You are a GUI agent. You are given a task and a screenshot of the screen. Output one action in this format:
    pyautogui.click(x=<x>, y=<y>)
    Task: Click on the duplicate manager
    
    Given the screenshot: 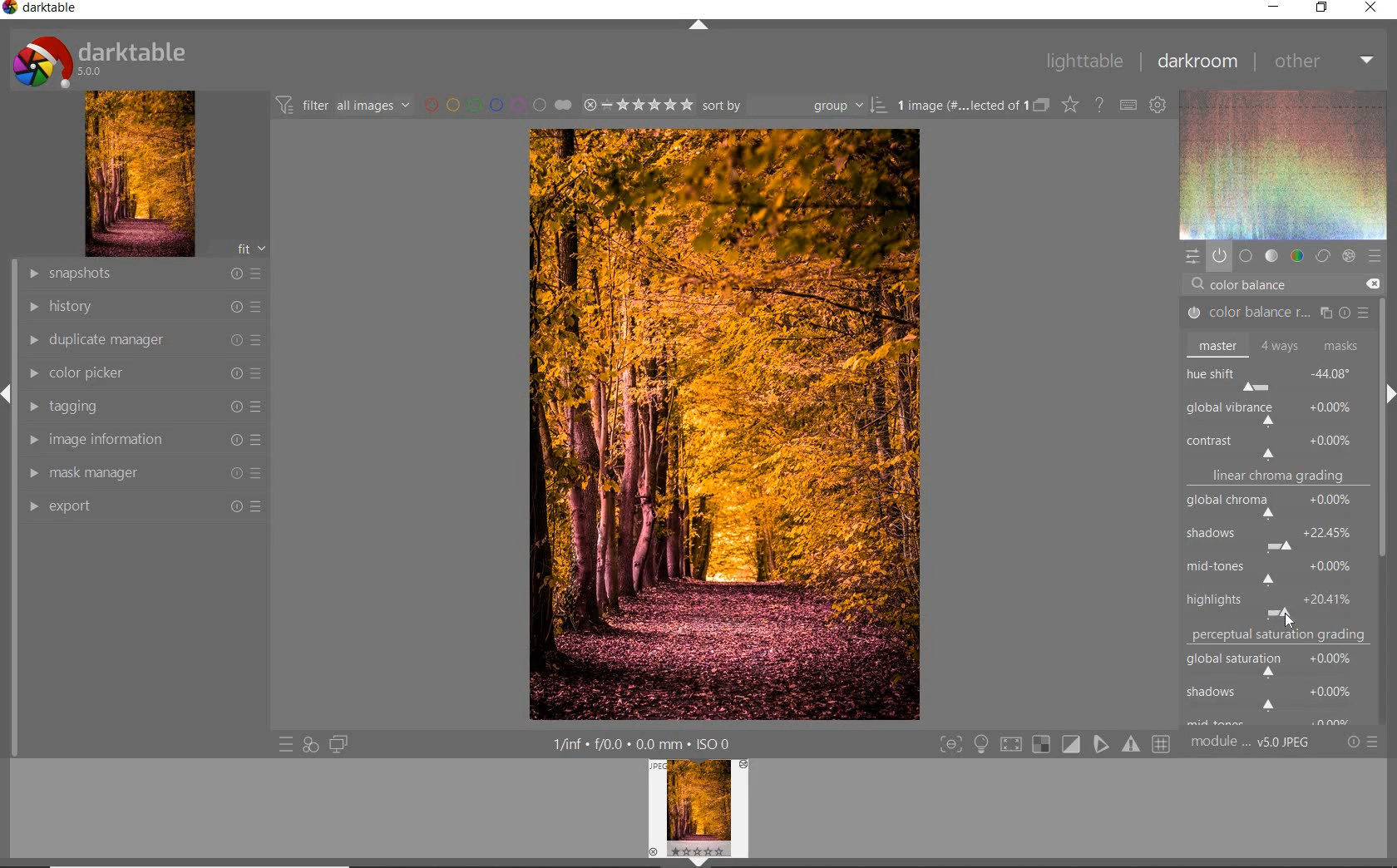 What is the action you would take?
    pyautogui.click(x=146, y=340)
    